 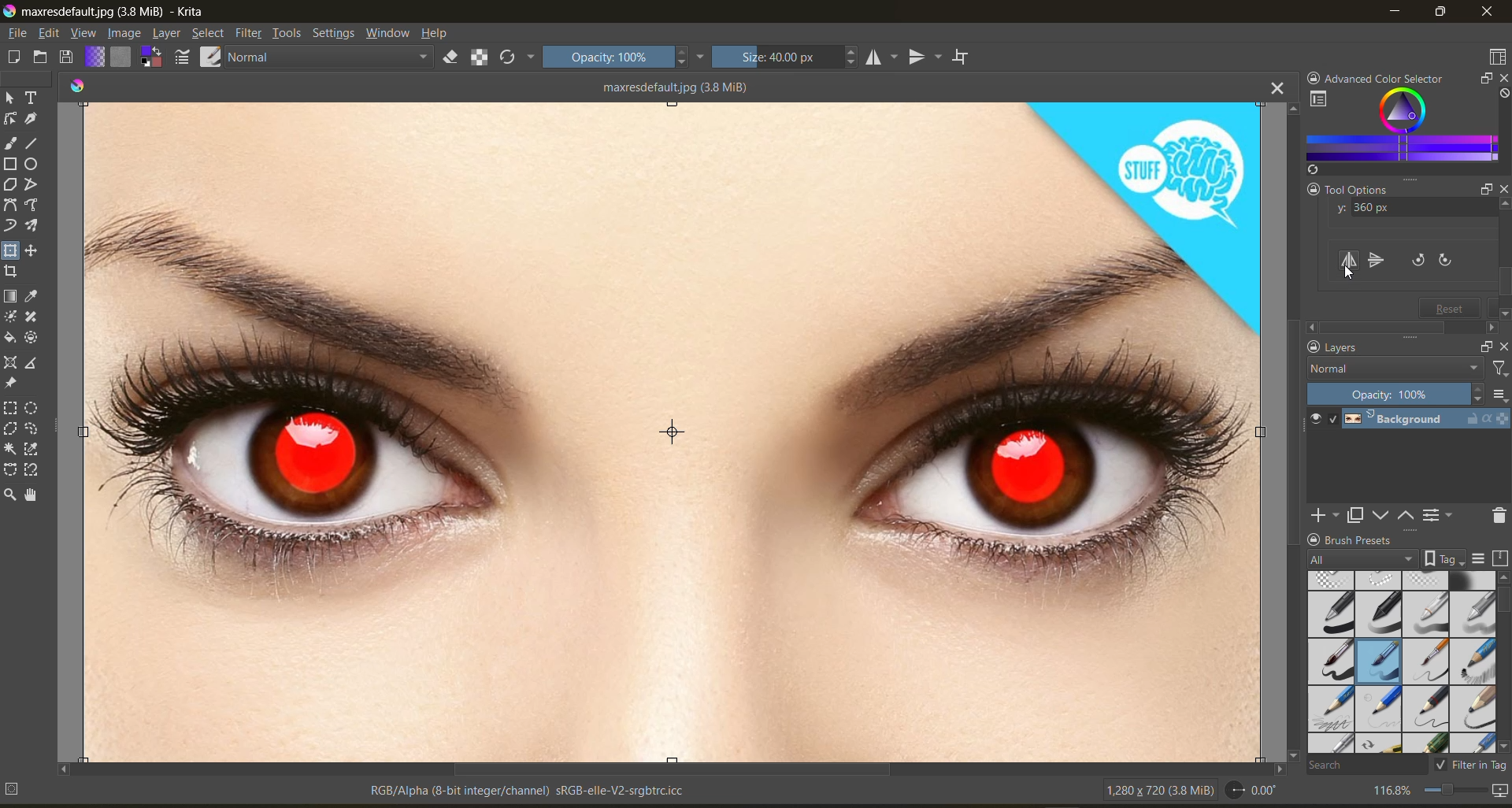 What do you see at coordinates (9, 468) in the screenshot?
I see `tool` at bounding box center [9, 468].